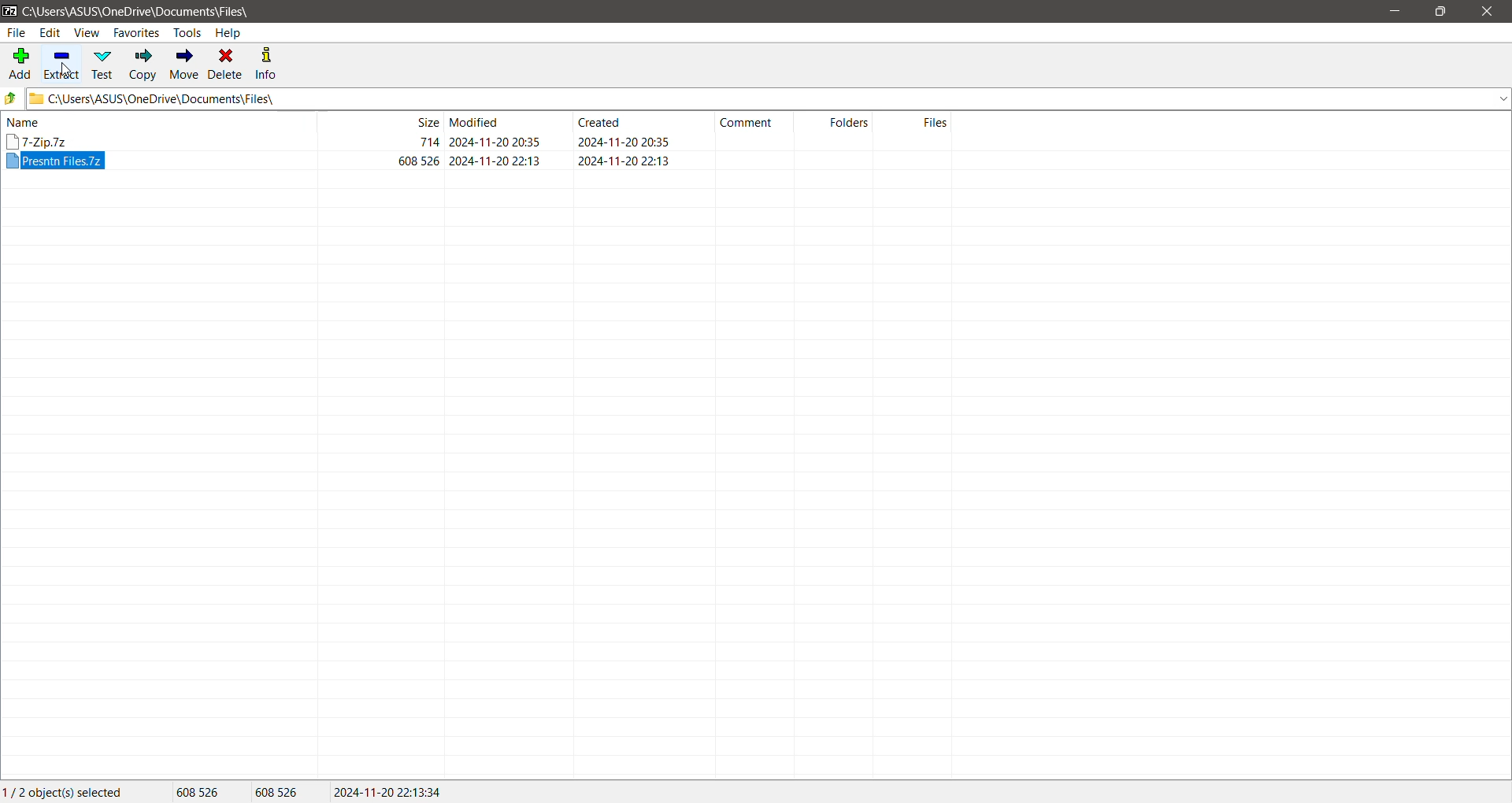  Describe the element at coordinates (11, 98) in the screenshot. I see `Move Up one level` at that location.